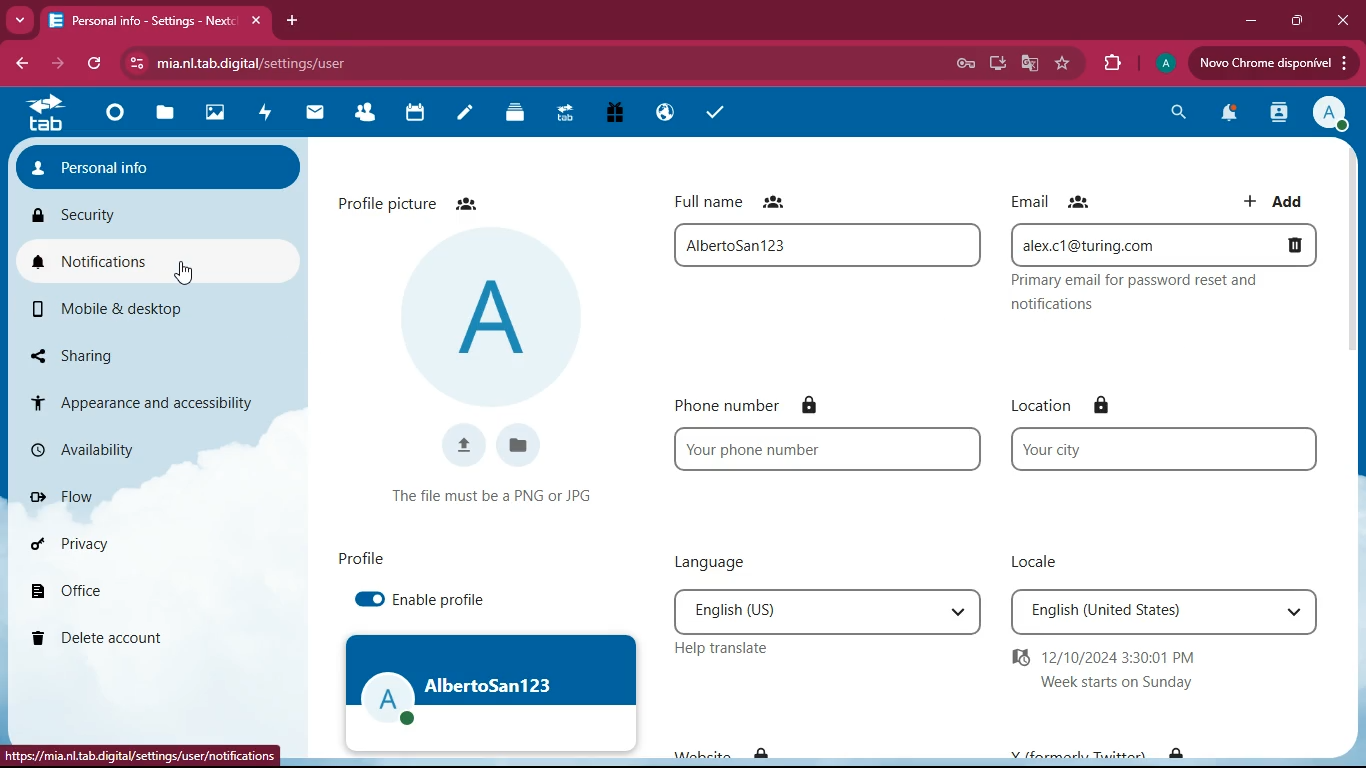 The image size is (1366, 768). I want to click on public, so click(666, 114).